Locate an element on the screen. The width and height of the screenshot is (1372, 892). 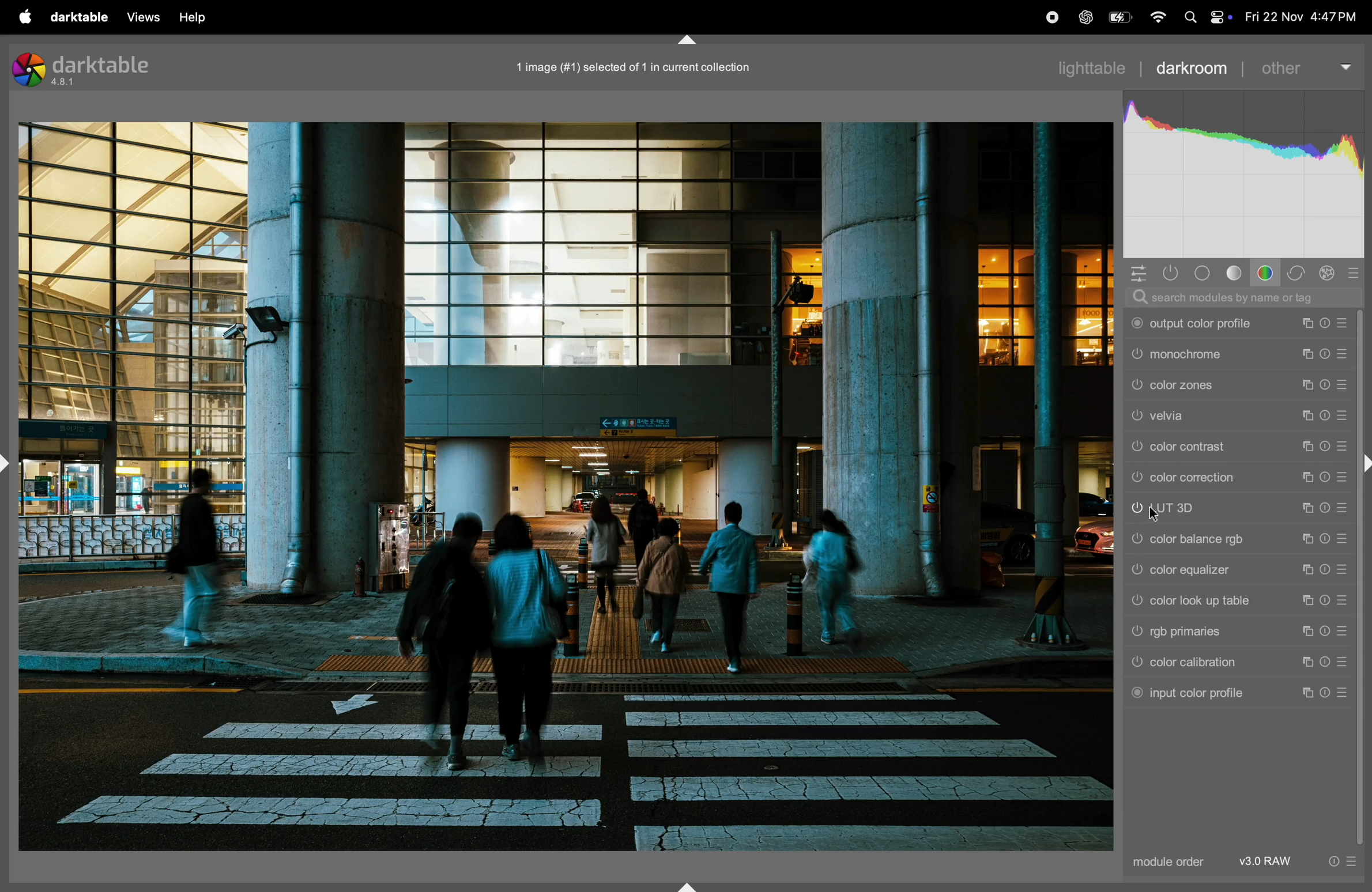
scroll bar is located at coordinates (1363, 664).